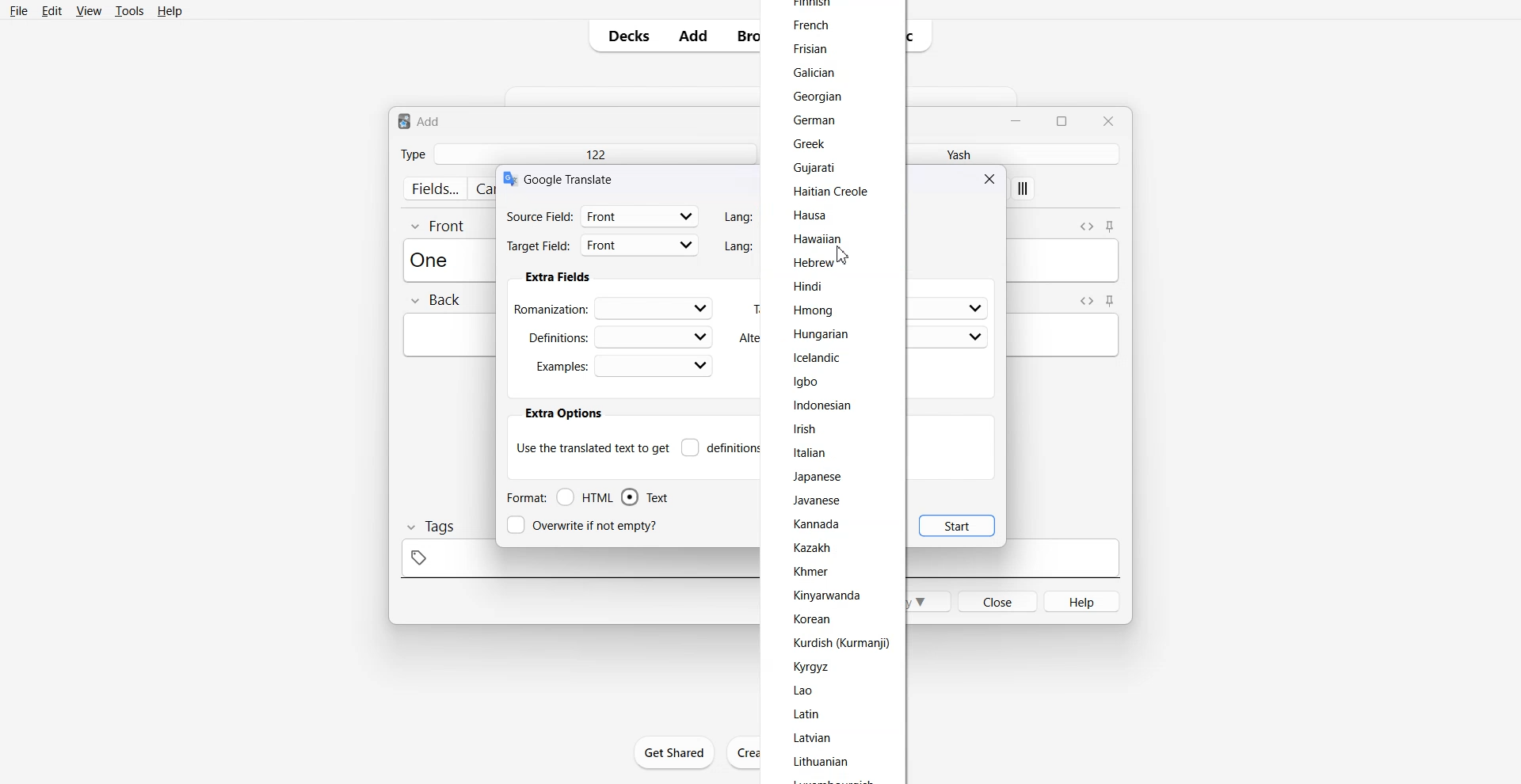 The image size is (1521, 784). I want to click on Italian, so click(810, 452).